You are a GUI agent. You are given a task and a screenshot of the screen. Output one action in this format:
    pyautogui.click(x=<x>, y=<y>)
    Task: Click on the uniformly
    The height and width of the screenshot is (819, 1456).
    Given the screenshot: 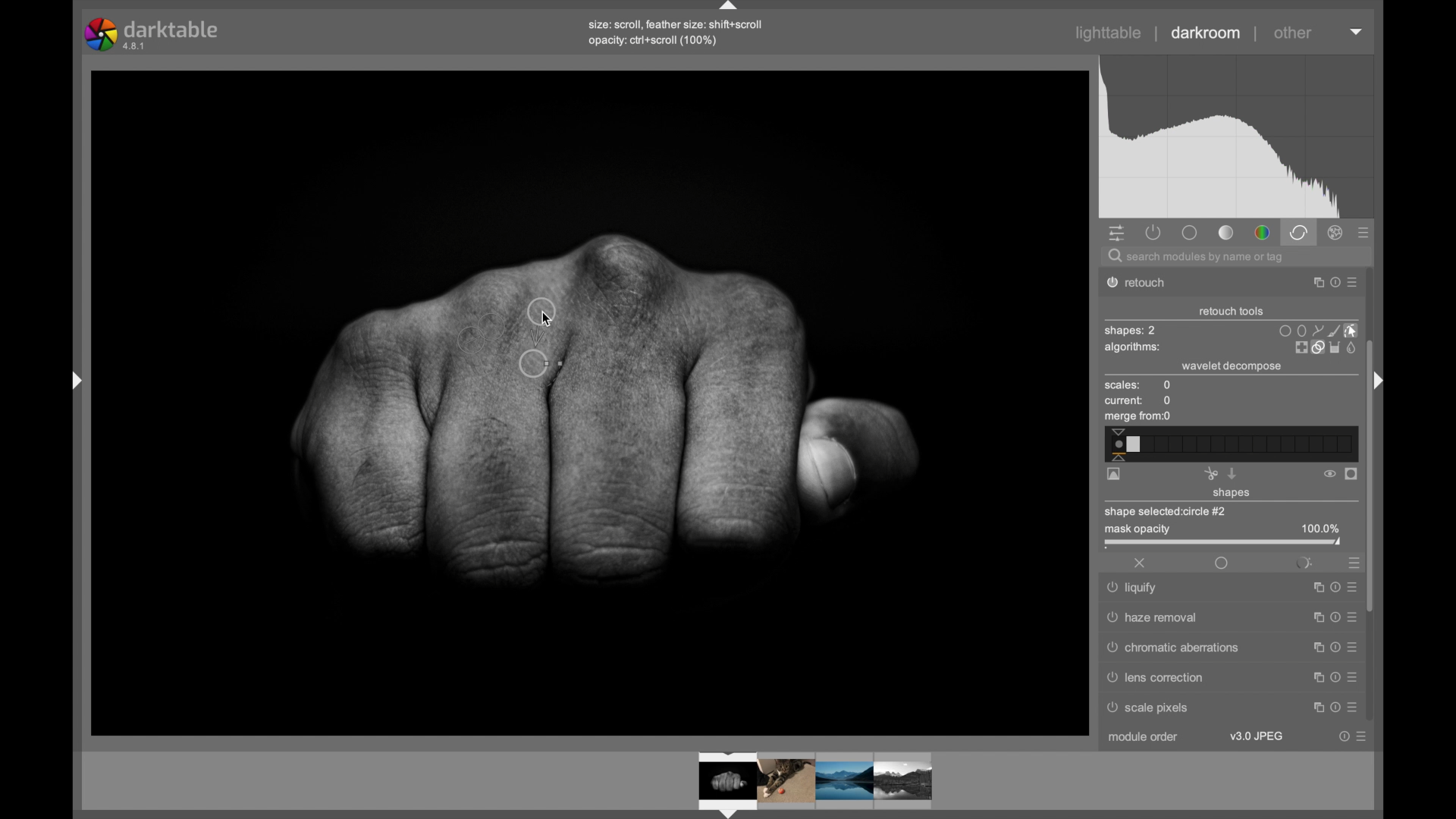 What is the action you would take?
    pyautogui.click(x=1221, y=563)
    